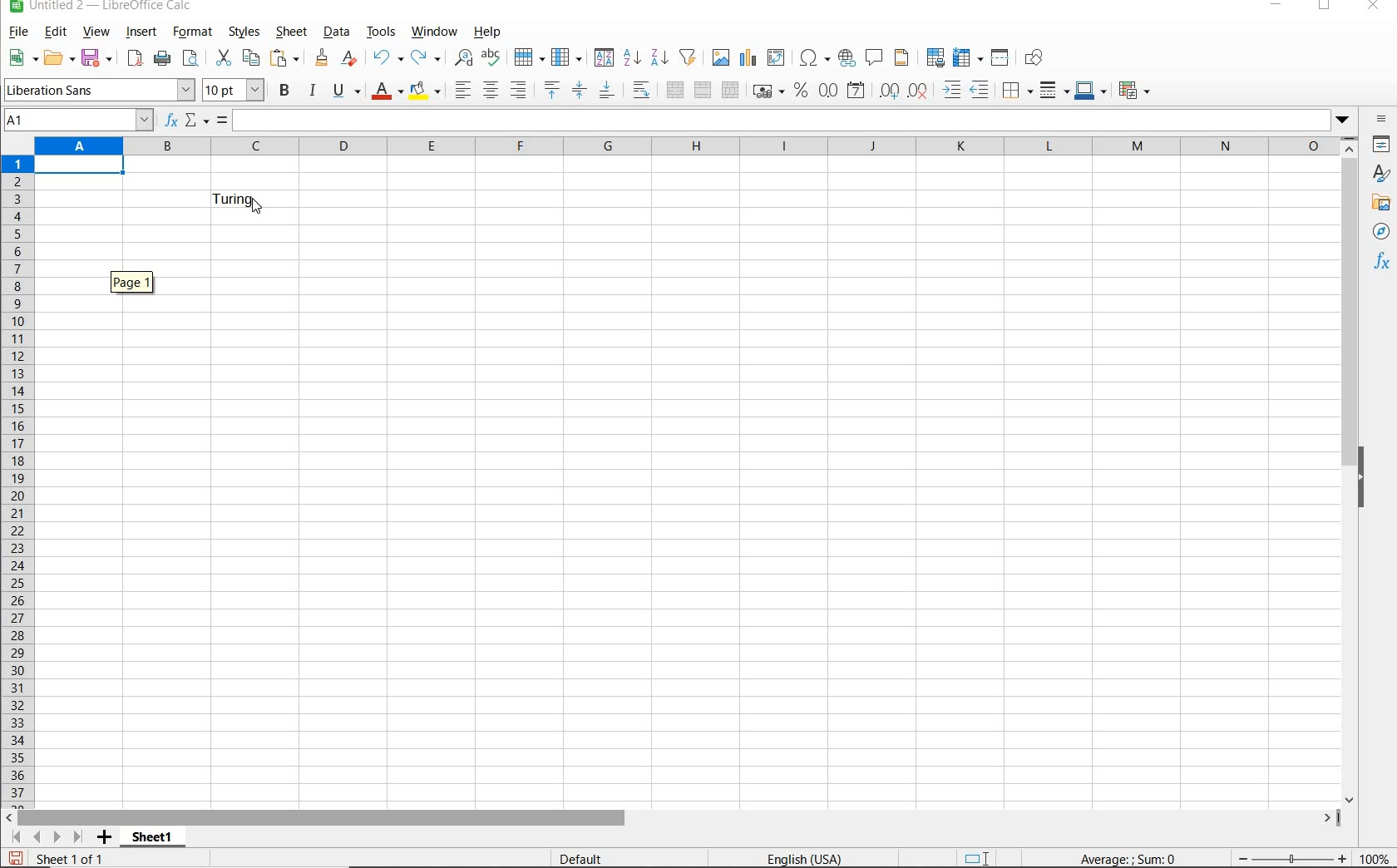 The height and width of the screenshot is (868, 1397). I want to click on SHEET 1, so click(155, 838).